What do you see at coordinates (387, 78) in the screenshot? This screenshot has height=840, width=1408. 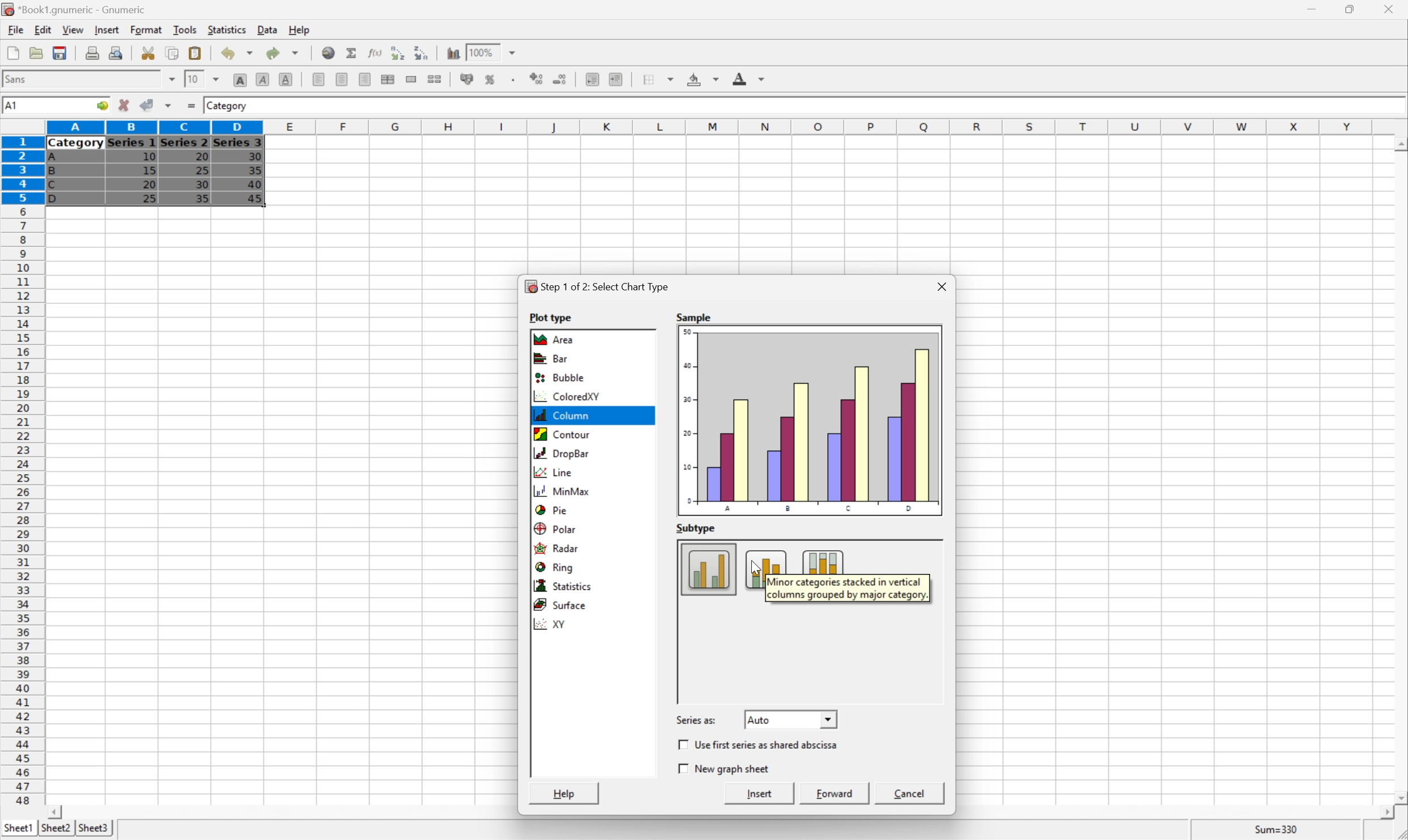 I see `Center horizontally across selection` at bounding box center [387, 78].